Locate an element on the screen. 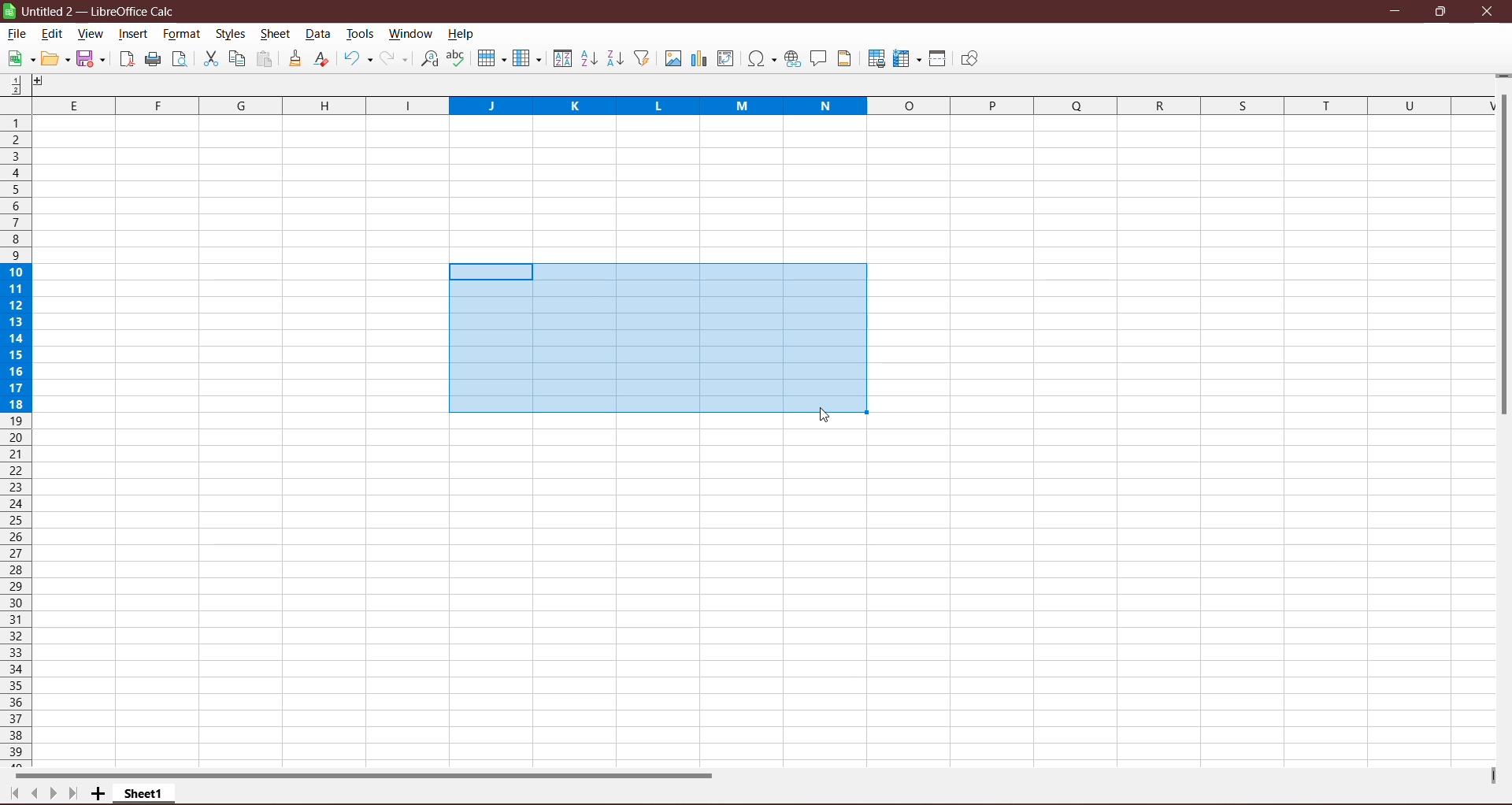 The height and width of the screenshot is (805, 1512). Scroll to next page is located at coordinates (50, 792).